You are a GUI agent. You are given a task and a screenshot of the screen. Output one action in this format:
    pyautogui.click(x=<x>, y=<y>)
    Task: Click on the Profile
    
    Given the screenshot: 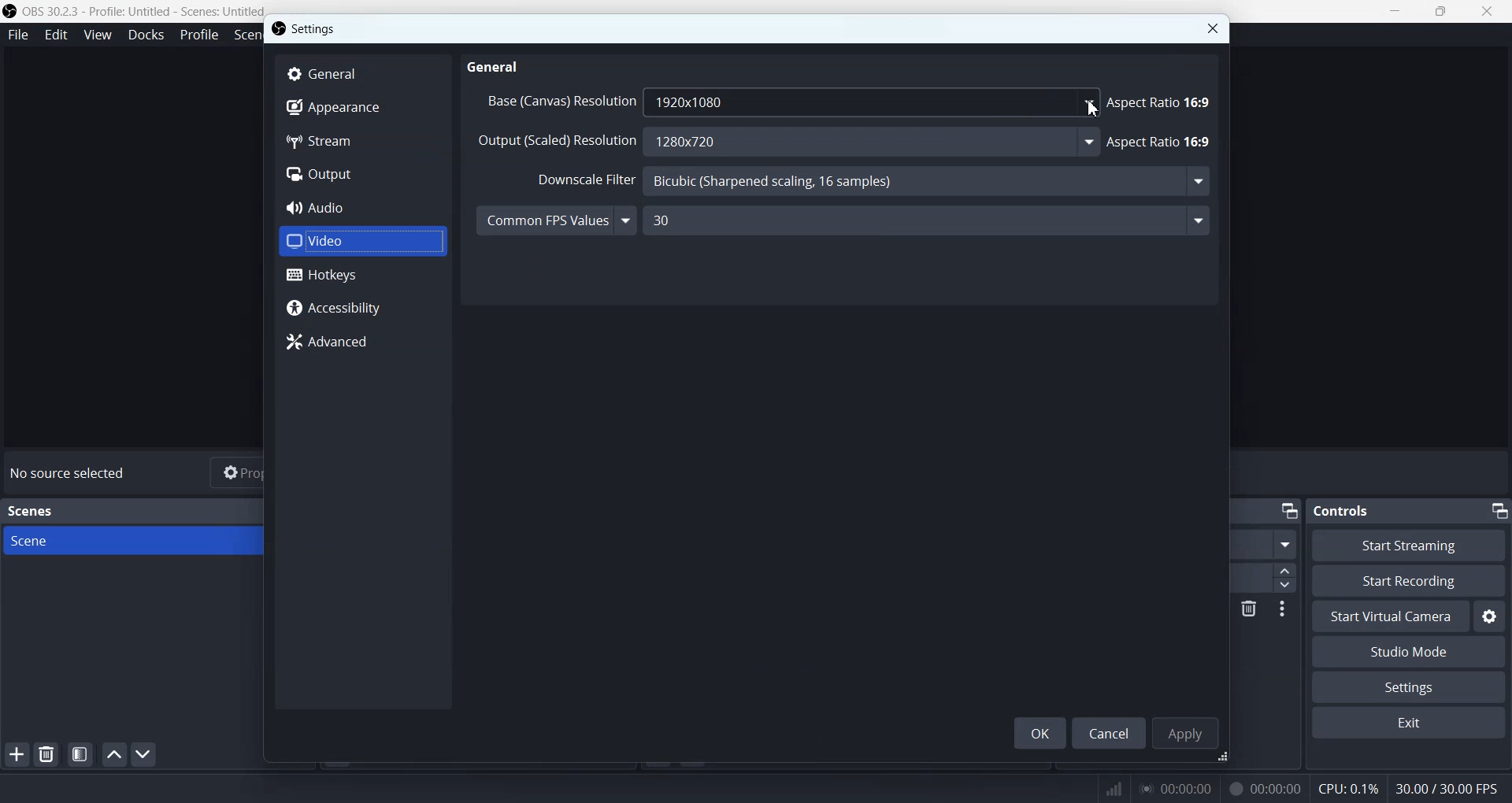 What is the action you would take?
    pyautogui.click(x=197, y=36)
    